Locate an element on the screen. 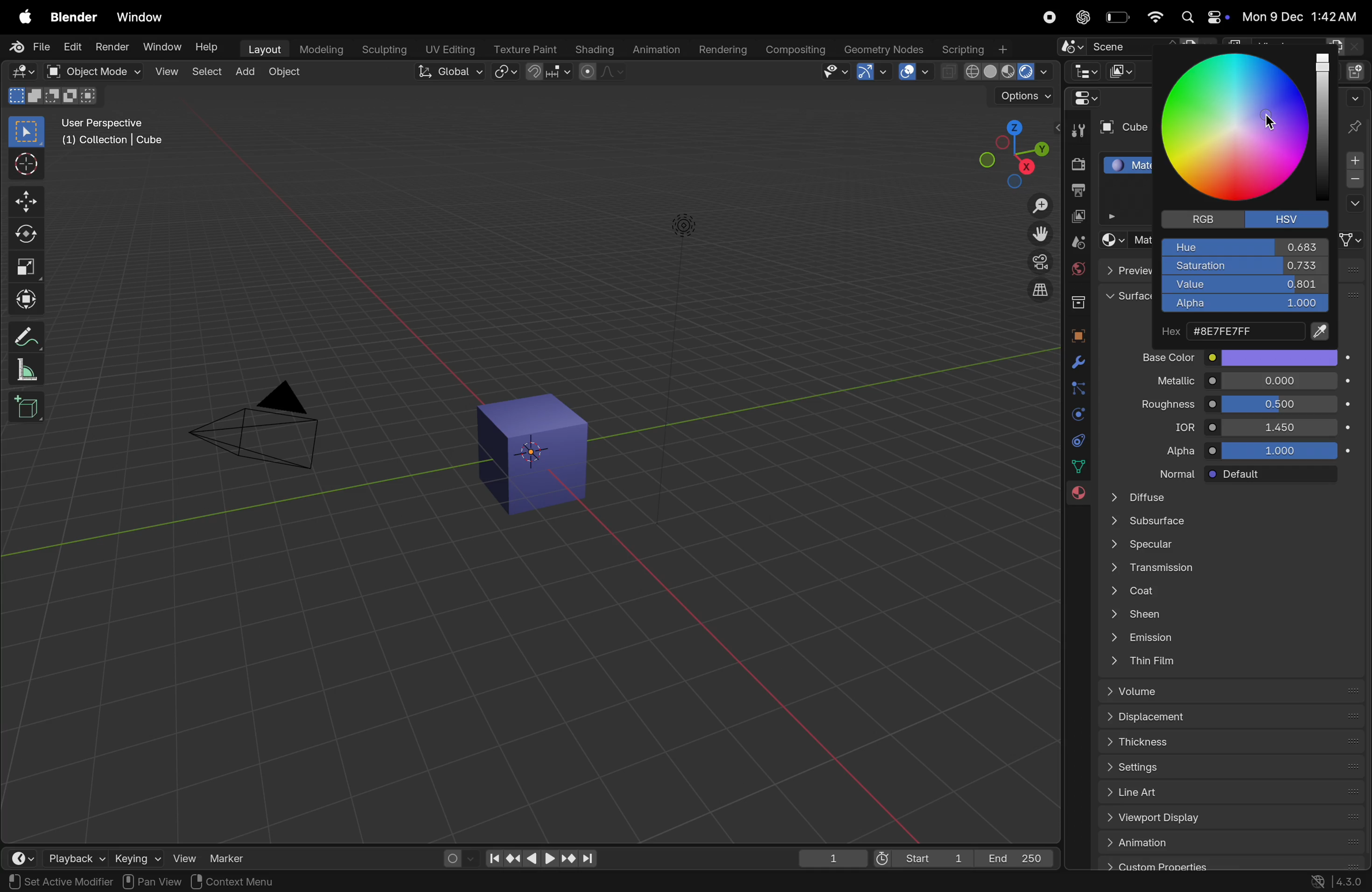 Image resolution: width=1372 pixels, height=892 pixels. idr is located at coordinates (1174, 429).